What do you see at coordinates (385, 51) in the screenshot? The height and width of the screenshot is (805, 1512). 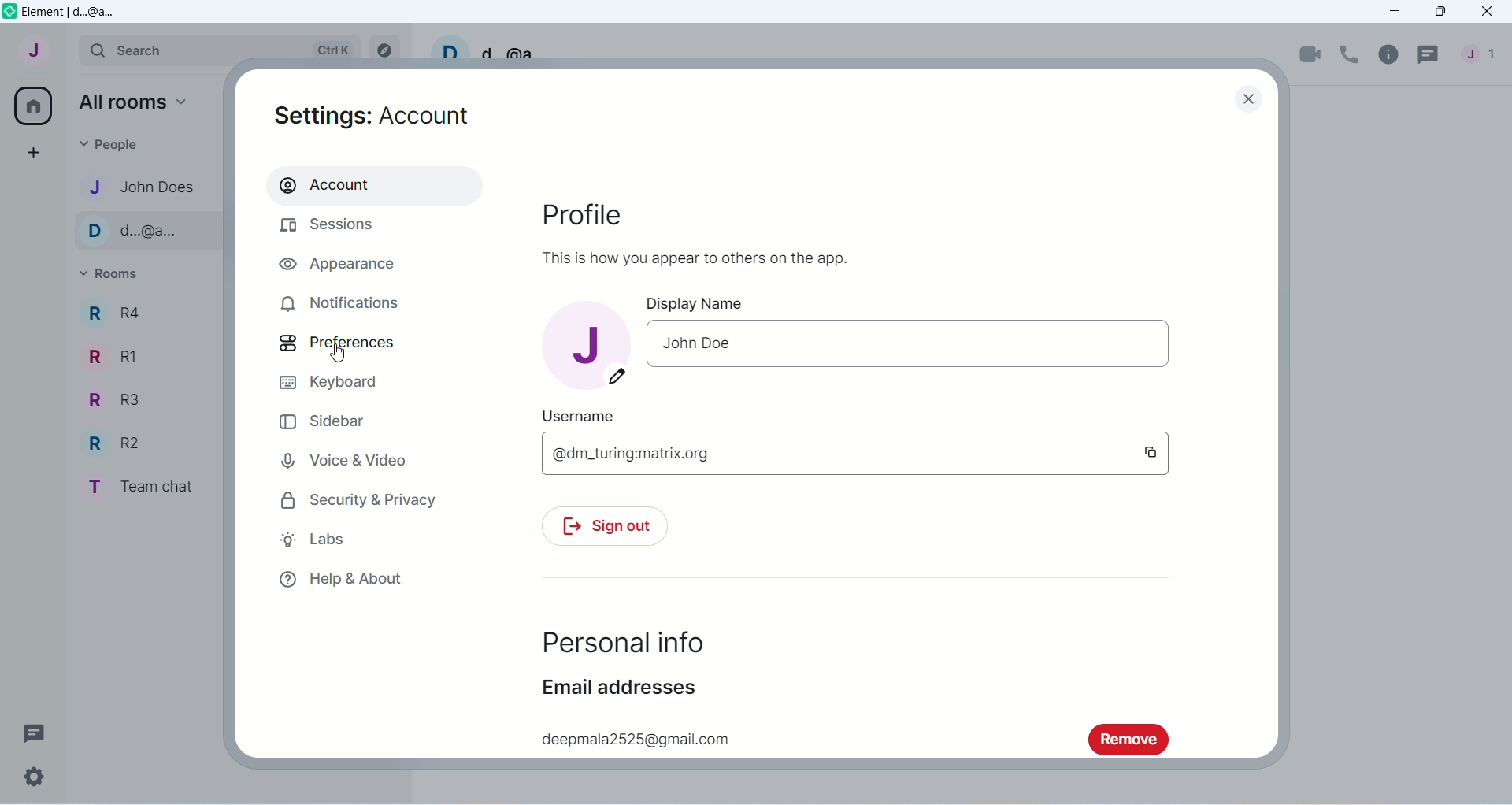 I see `Explore rooms` at bounding box center [385, 51].